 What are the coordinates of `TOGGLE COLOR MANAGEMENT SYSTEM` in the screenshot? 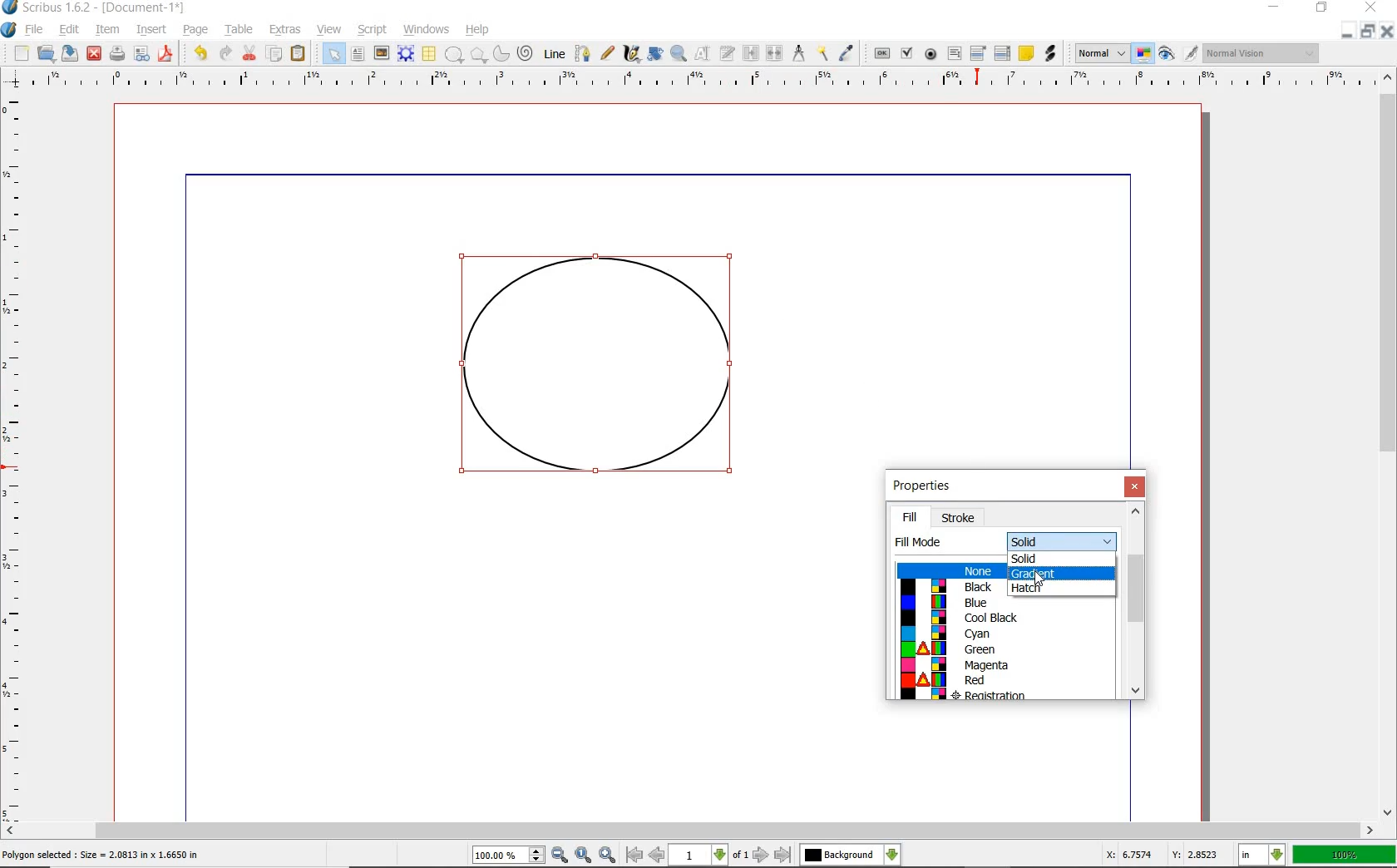 It's located at (1144, 53).